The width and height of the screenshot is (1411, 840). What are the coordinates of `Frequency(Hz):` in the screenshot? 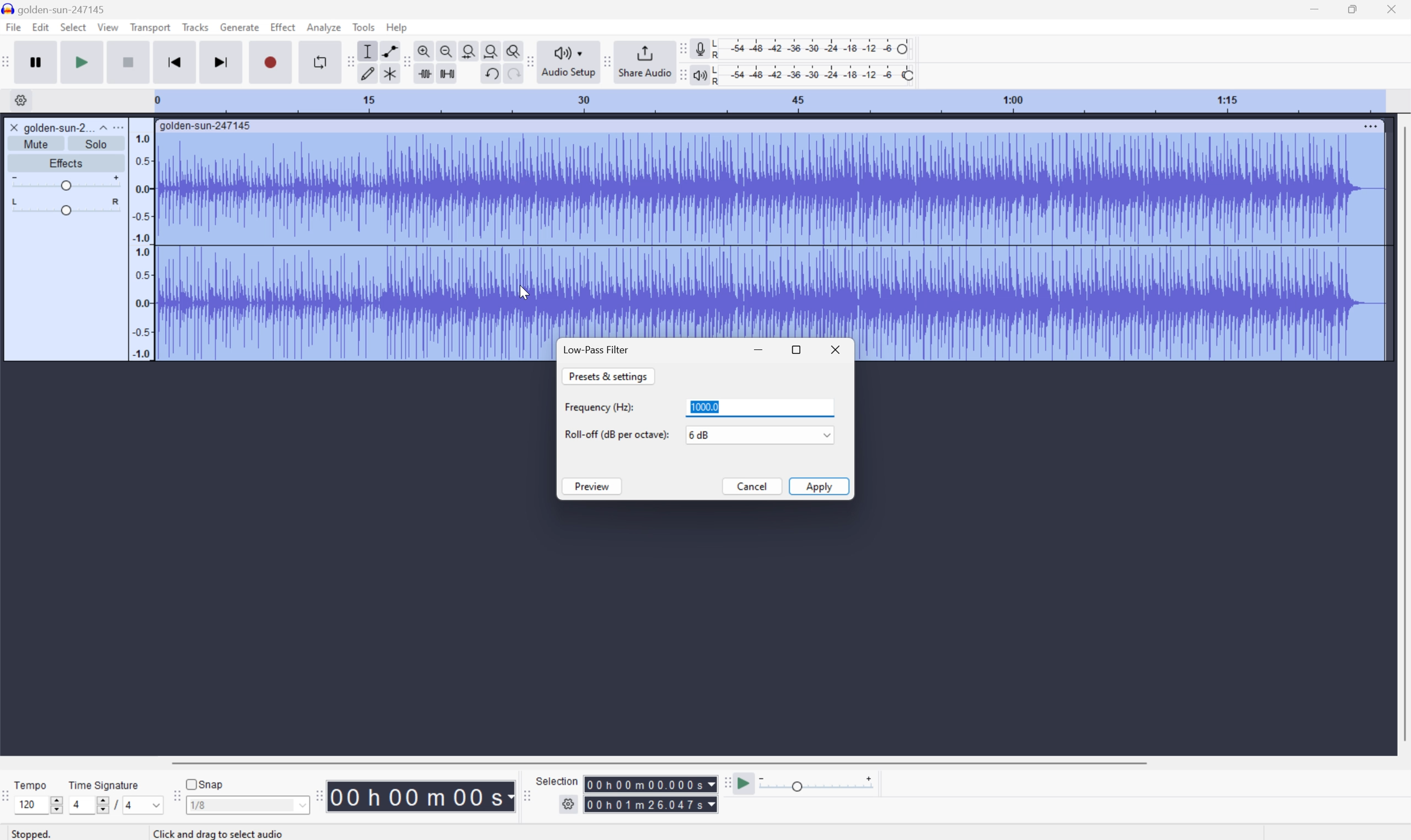 It's located at (600, 407).